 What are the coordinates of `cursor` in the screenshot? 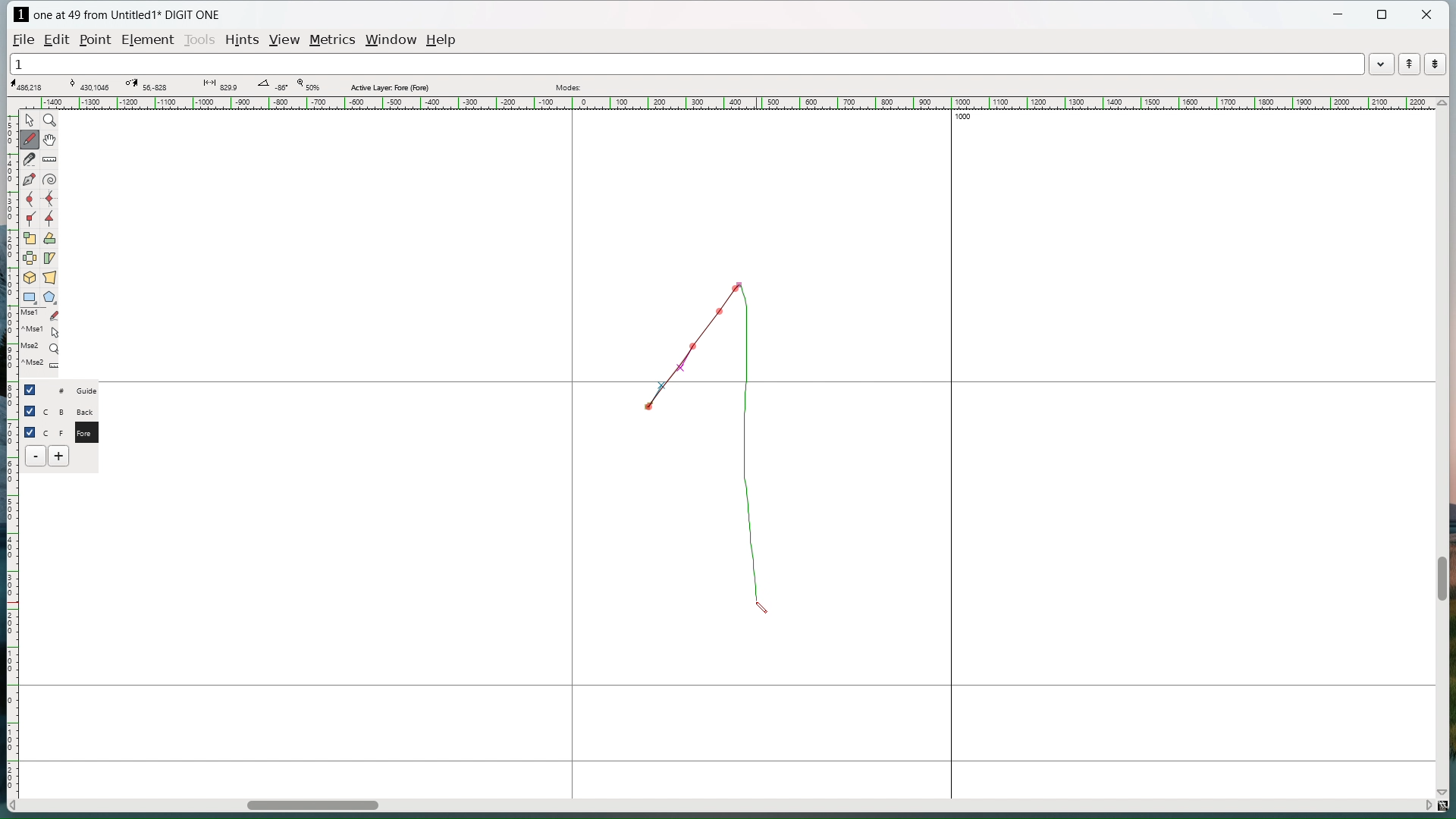 It's located at (758, 610).